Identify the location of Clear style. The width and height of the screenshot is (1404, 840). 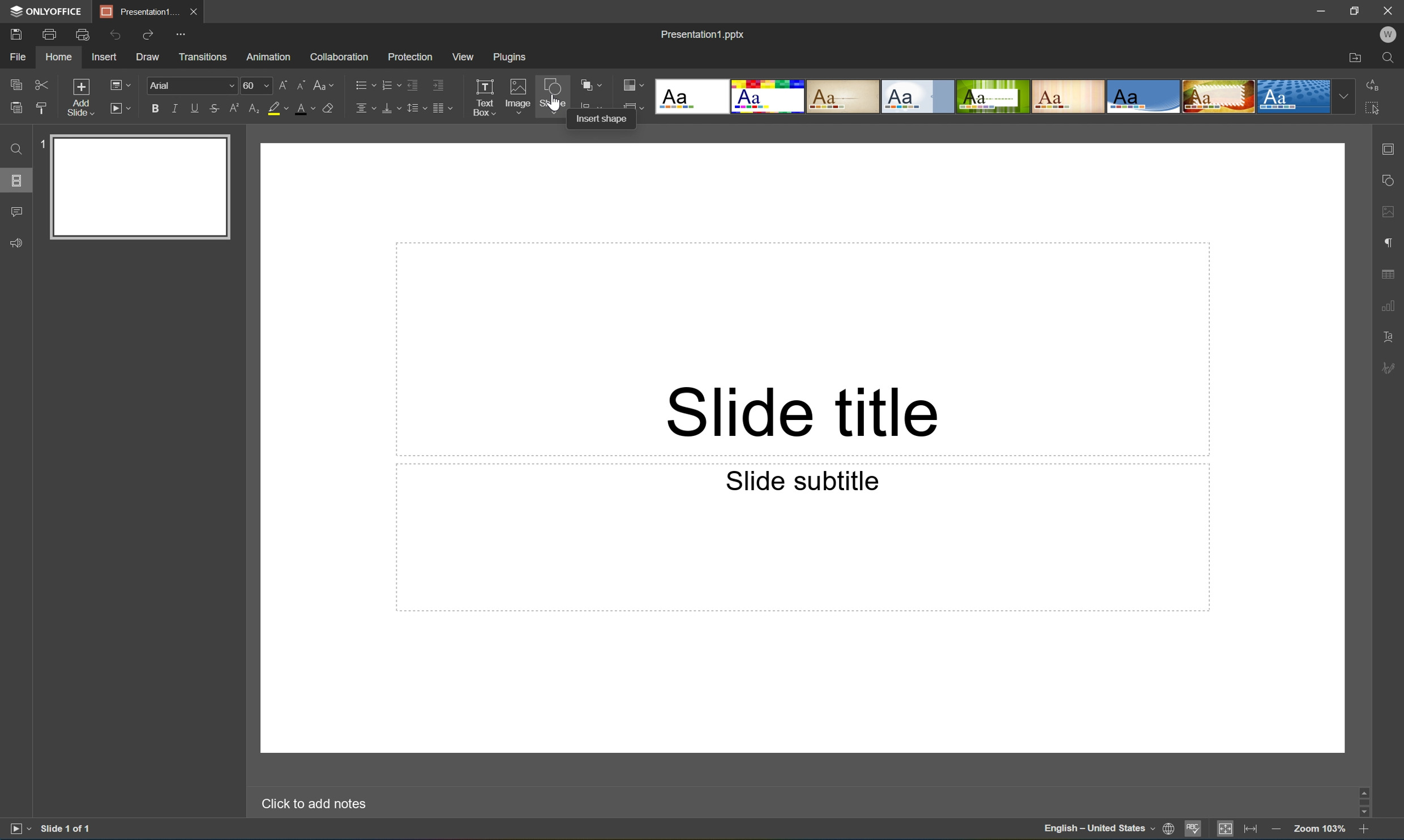
(335, 109).